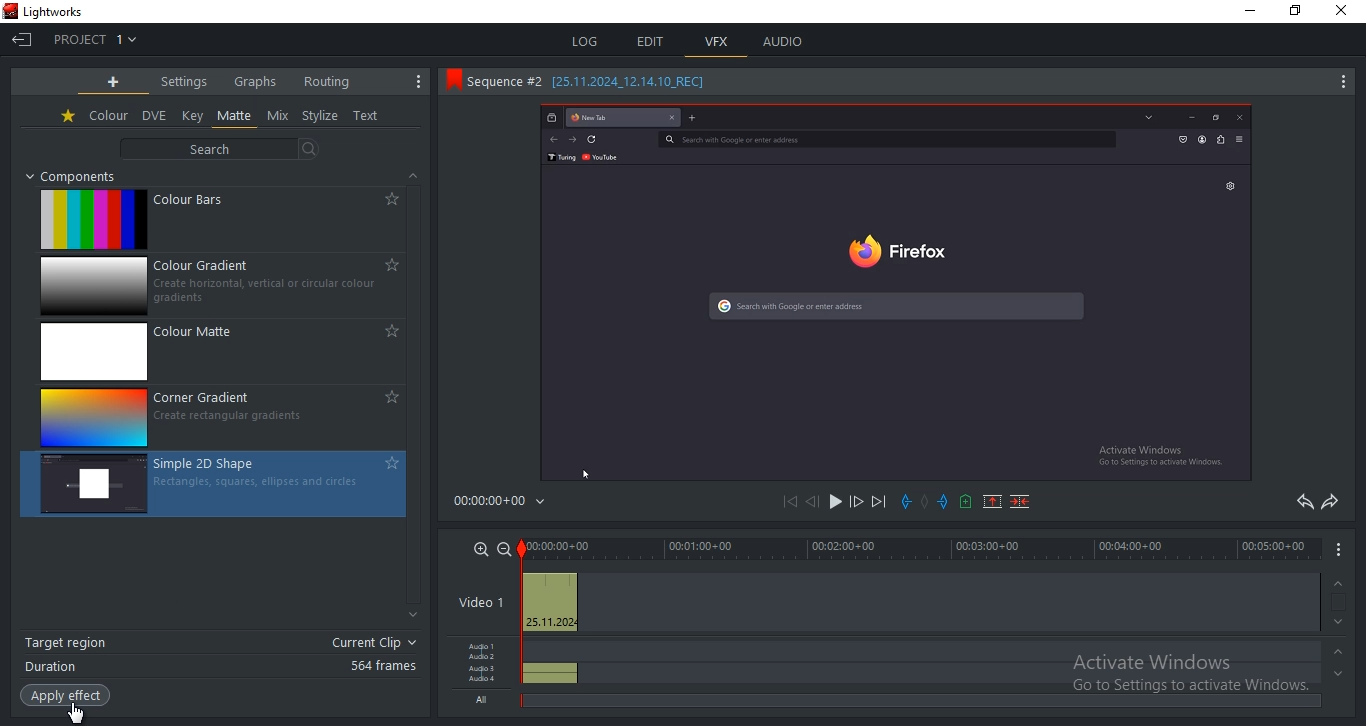 This screenshot has height=726, width=1366. What do you see at coordinates (95, 39) in the screenshot?
I see `project 1` at bounding box center [95, 39].